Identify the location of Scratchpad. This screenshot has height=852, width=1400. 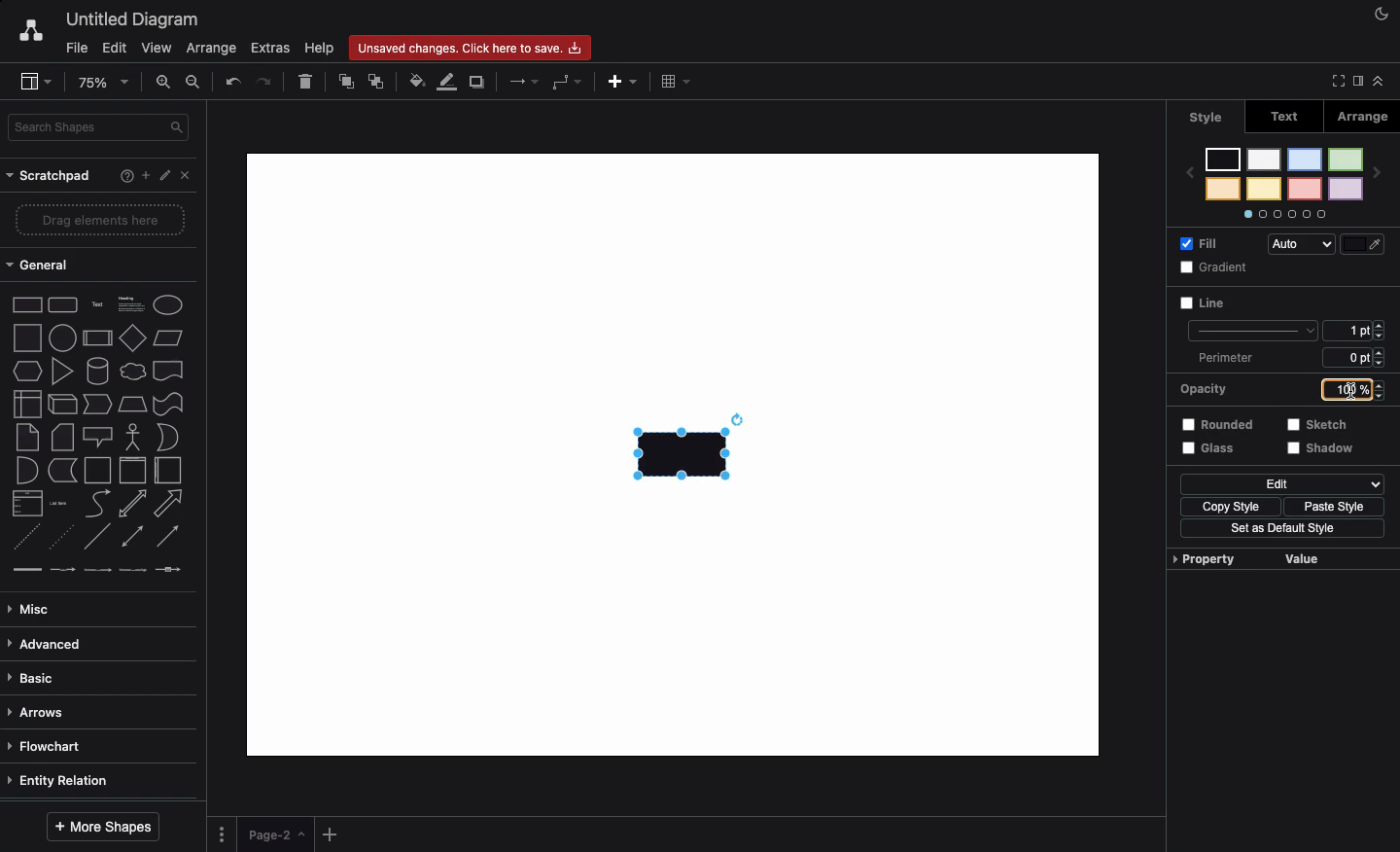
(48, 179).